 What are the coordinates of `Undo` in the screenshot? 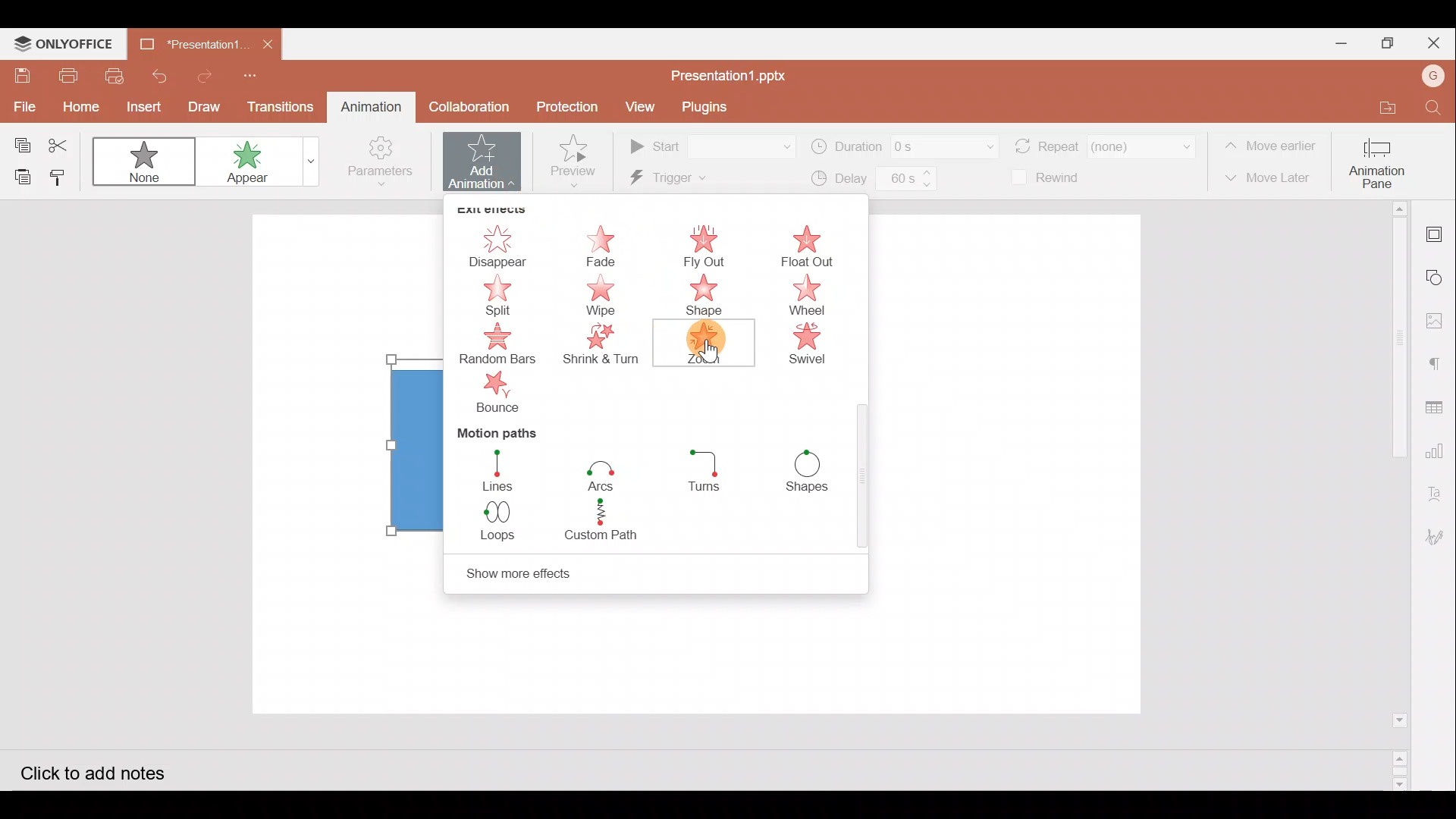 It's located at (158, 74).